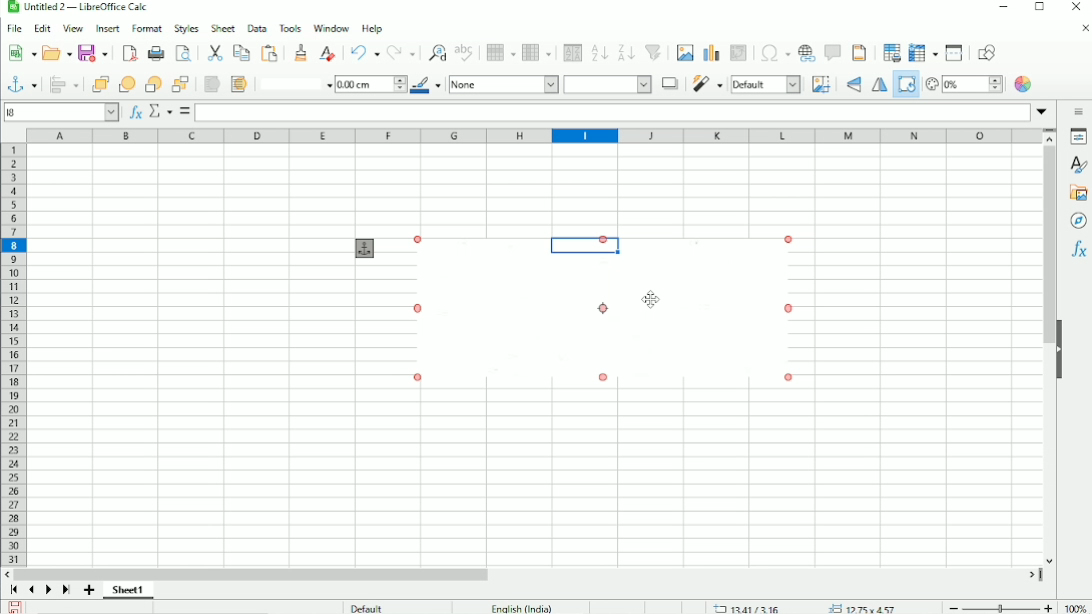 The height and width of the screenshot is (614, 1092). Describe the element at coordinates (241, 52) in the screenshot. I see `Copy` at that location.